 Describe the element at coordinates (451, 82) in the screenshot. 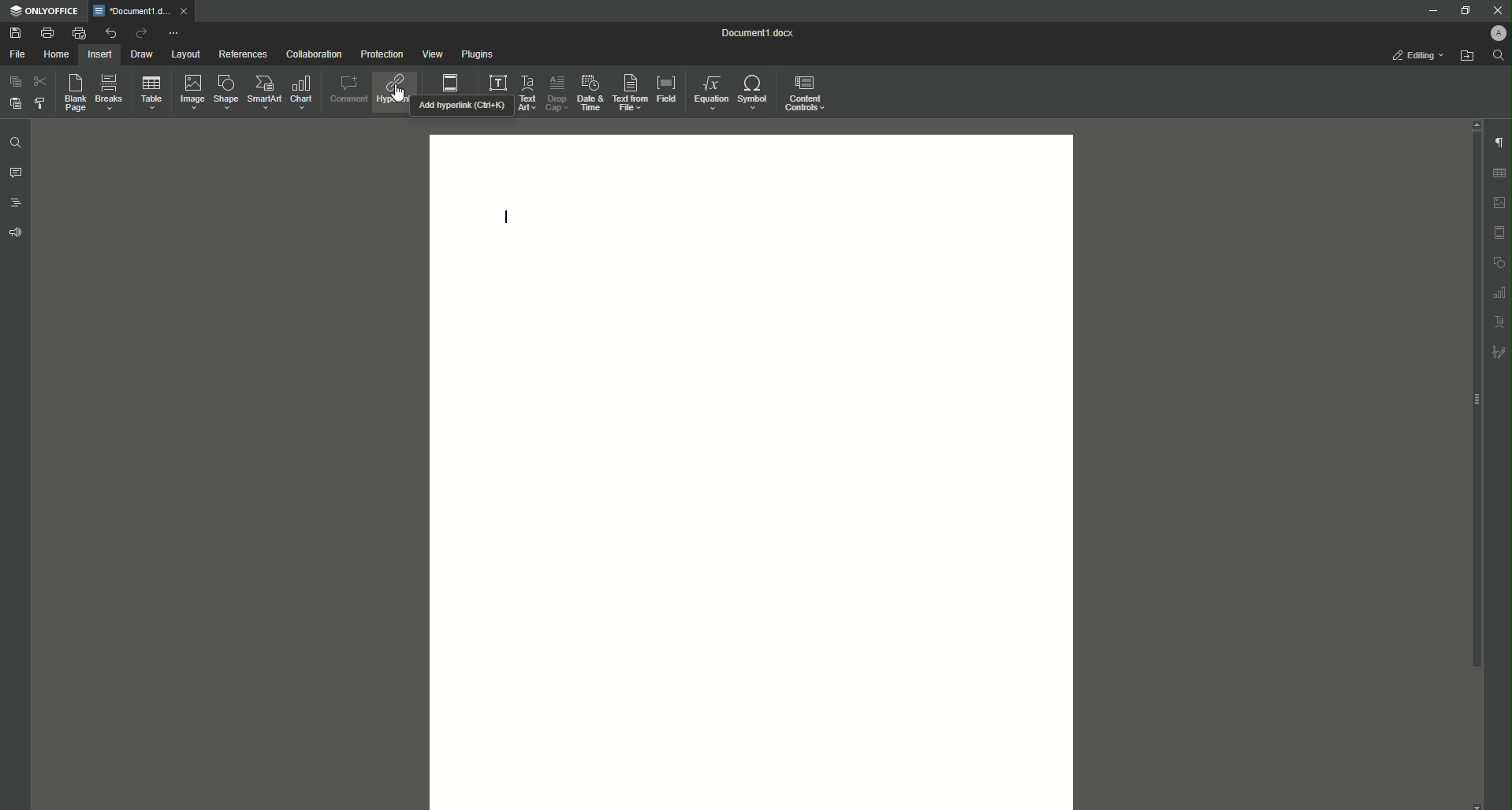

I see `Header and Footer` at that location.